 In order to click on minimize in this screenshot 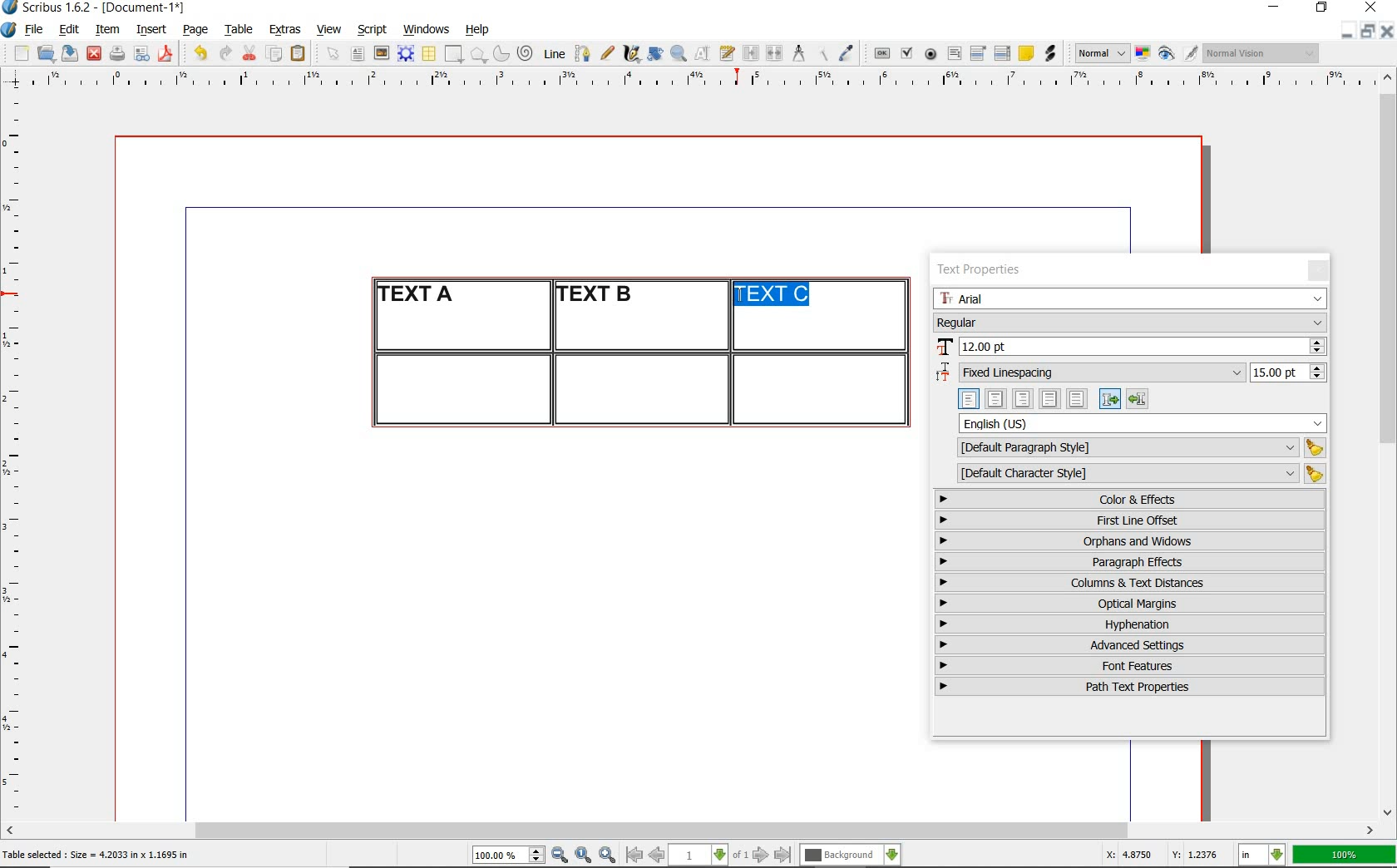, I will do `click(1276, 8)`.